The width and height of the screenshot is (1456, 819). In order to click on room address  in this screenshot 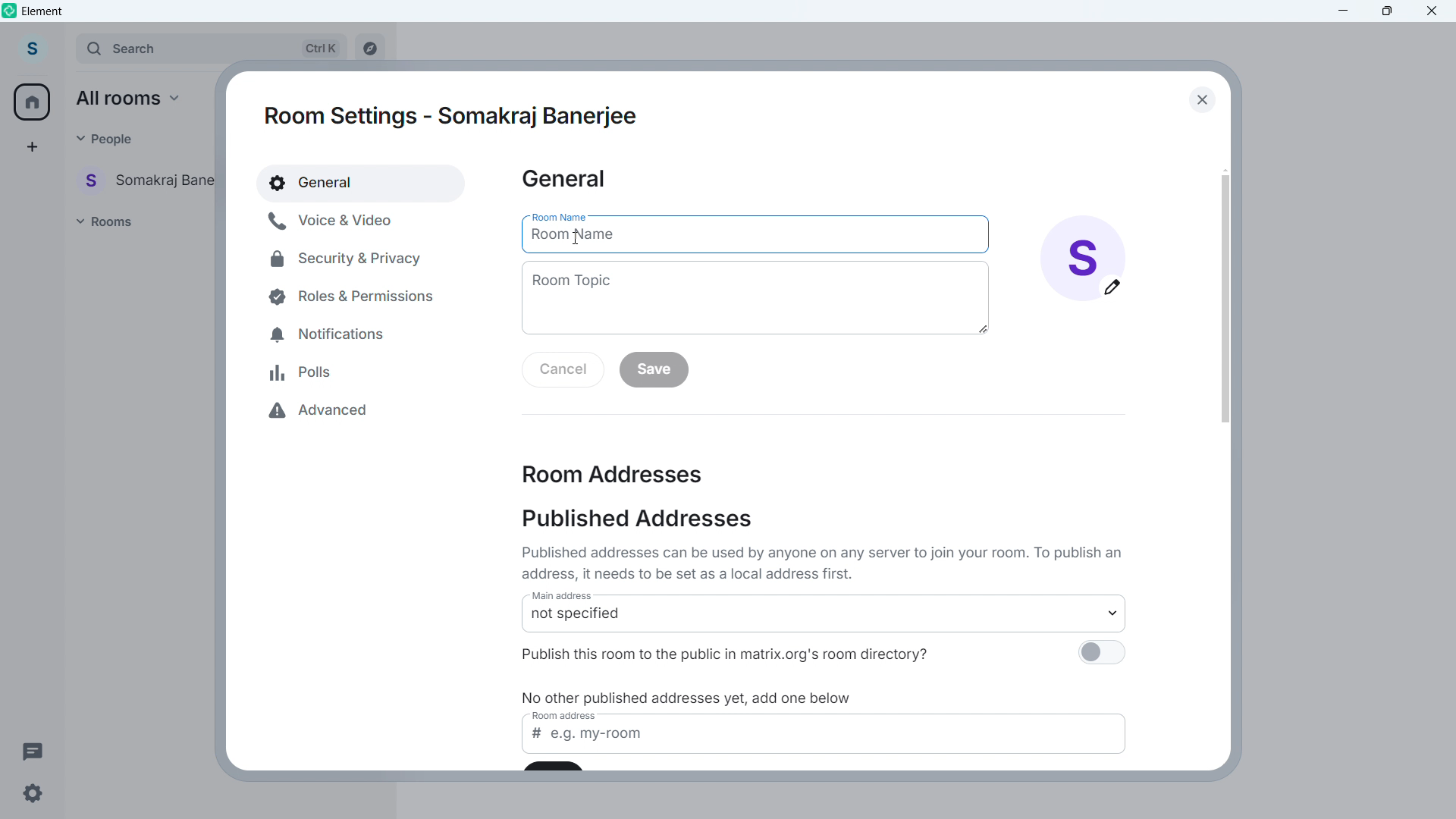, I will do `click(568, 717)`.